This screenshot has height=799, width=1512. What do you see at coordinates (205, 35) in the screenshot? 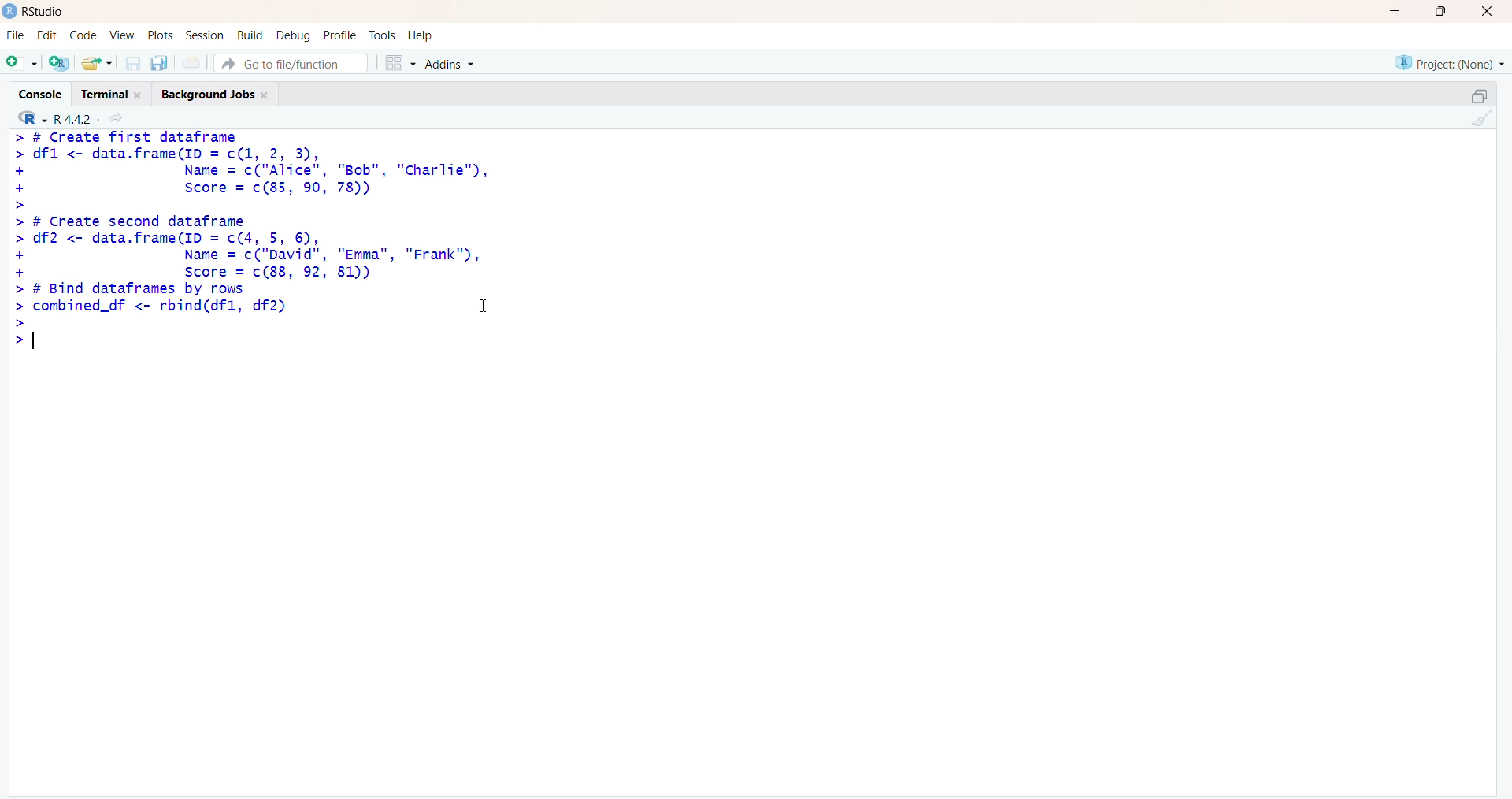
I see `Session` at bounding box center [205, 35].